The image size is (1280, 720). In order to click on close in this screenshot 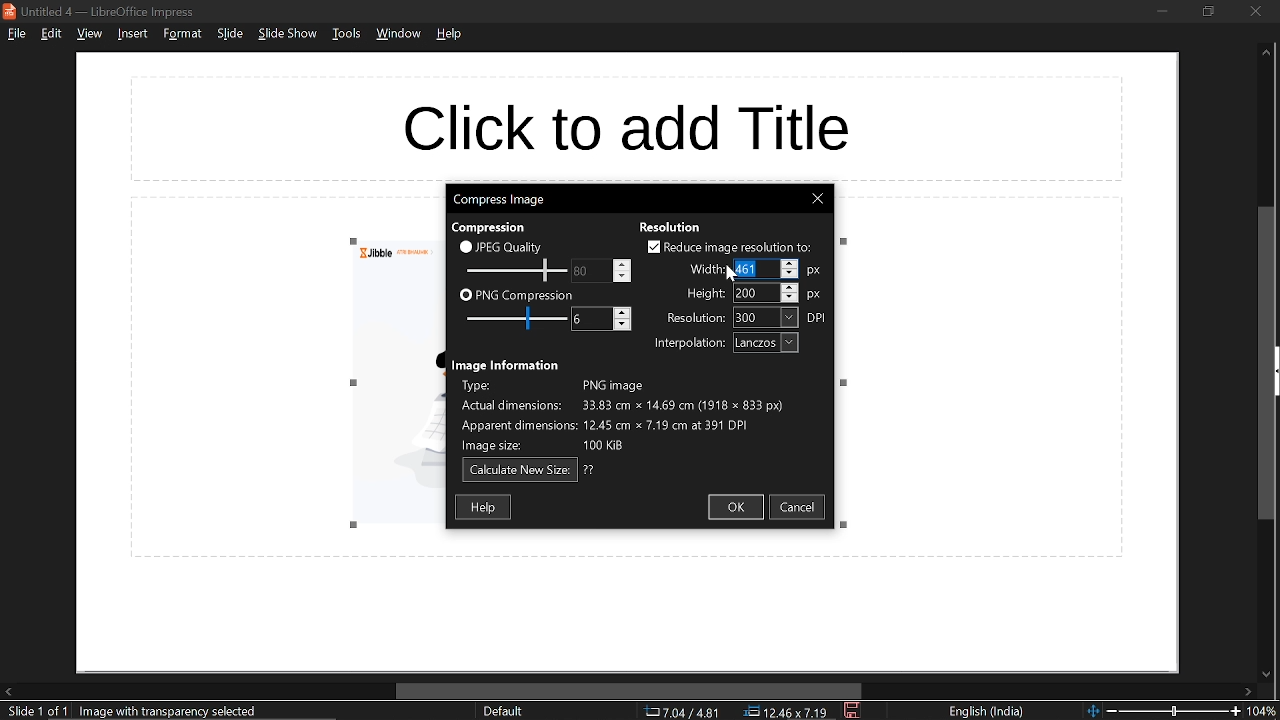, I will do `click(1257, 11)`.